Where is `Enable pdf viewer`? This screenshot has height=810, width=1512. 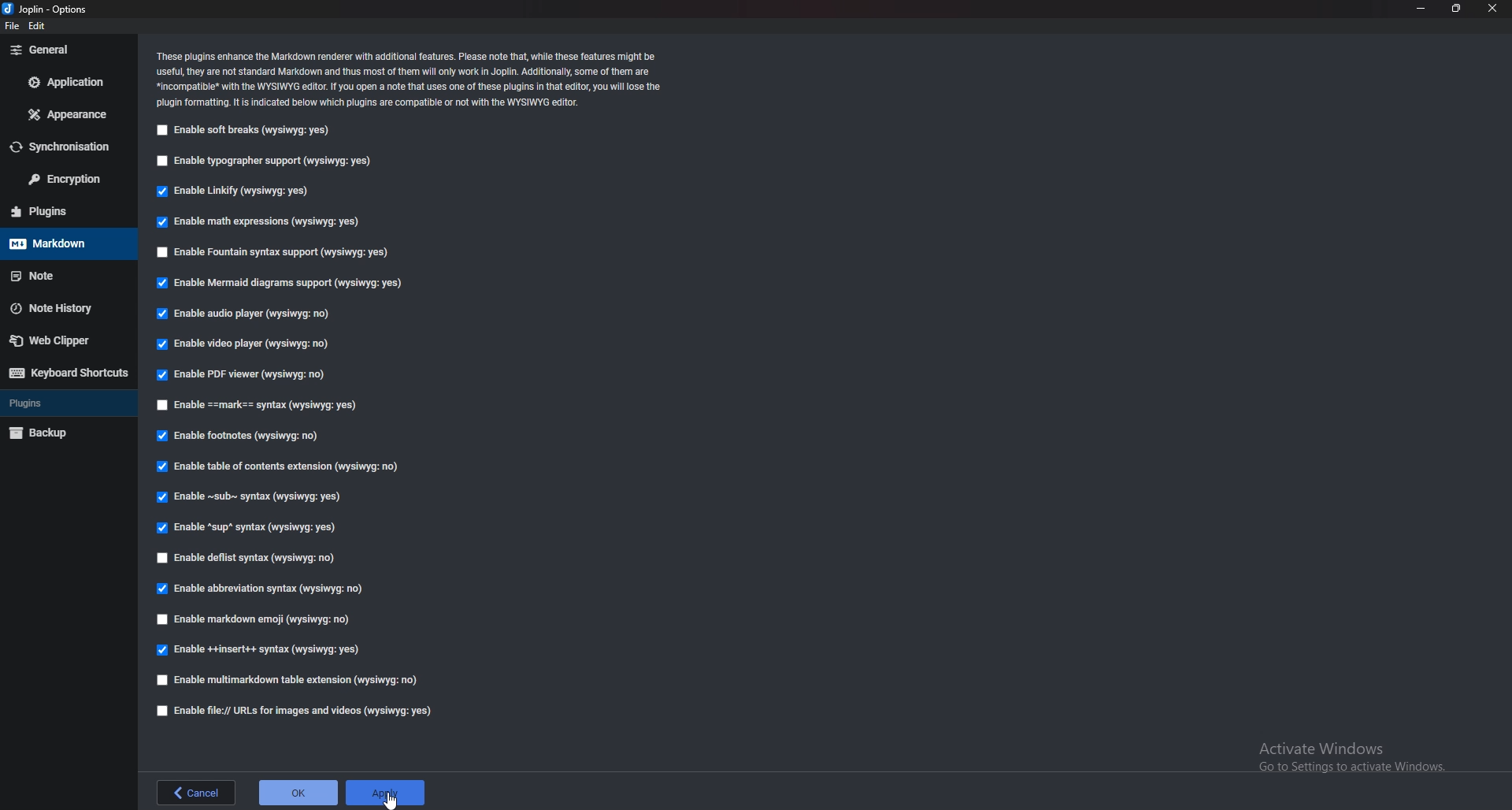
Enable pdf viewer is located at coordinates (246, 373).